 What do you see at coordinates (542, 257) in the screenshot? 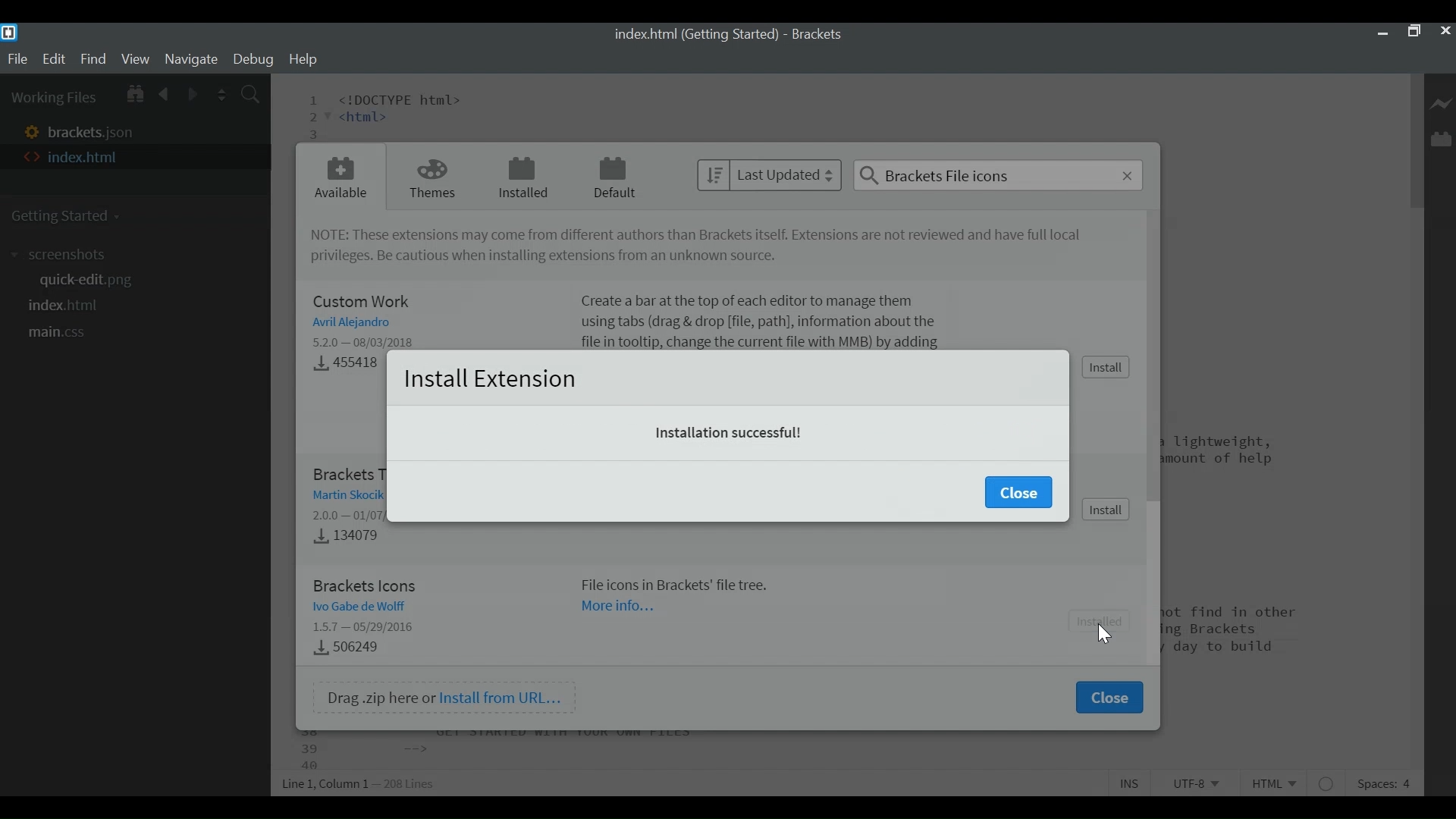
I see `Be cautious installing extensions from unknown source` at bounding box center [542, 257].